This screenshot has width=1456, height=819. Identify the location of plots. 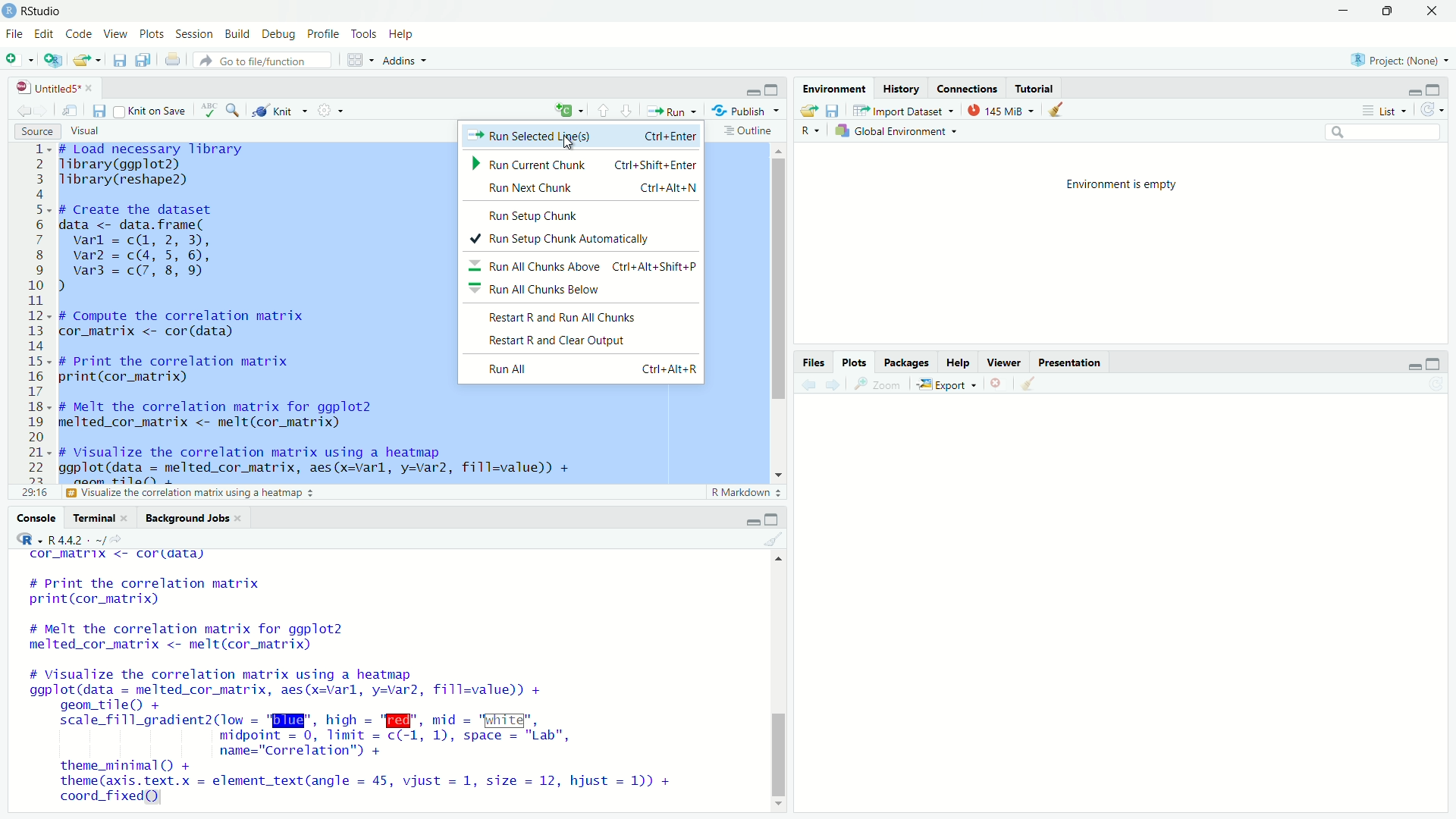
(152, 34).